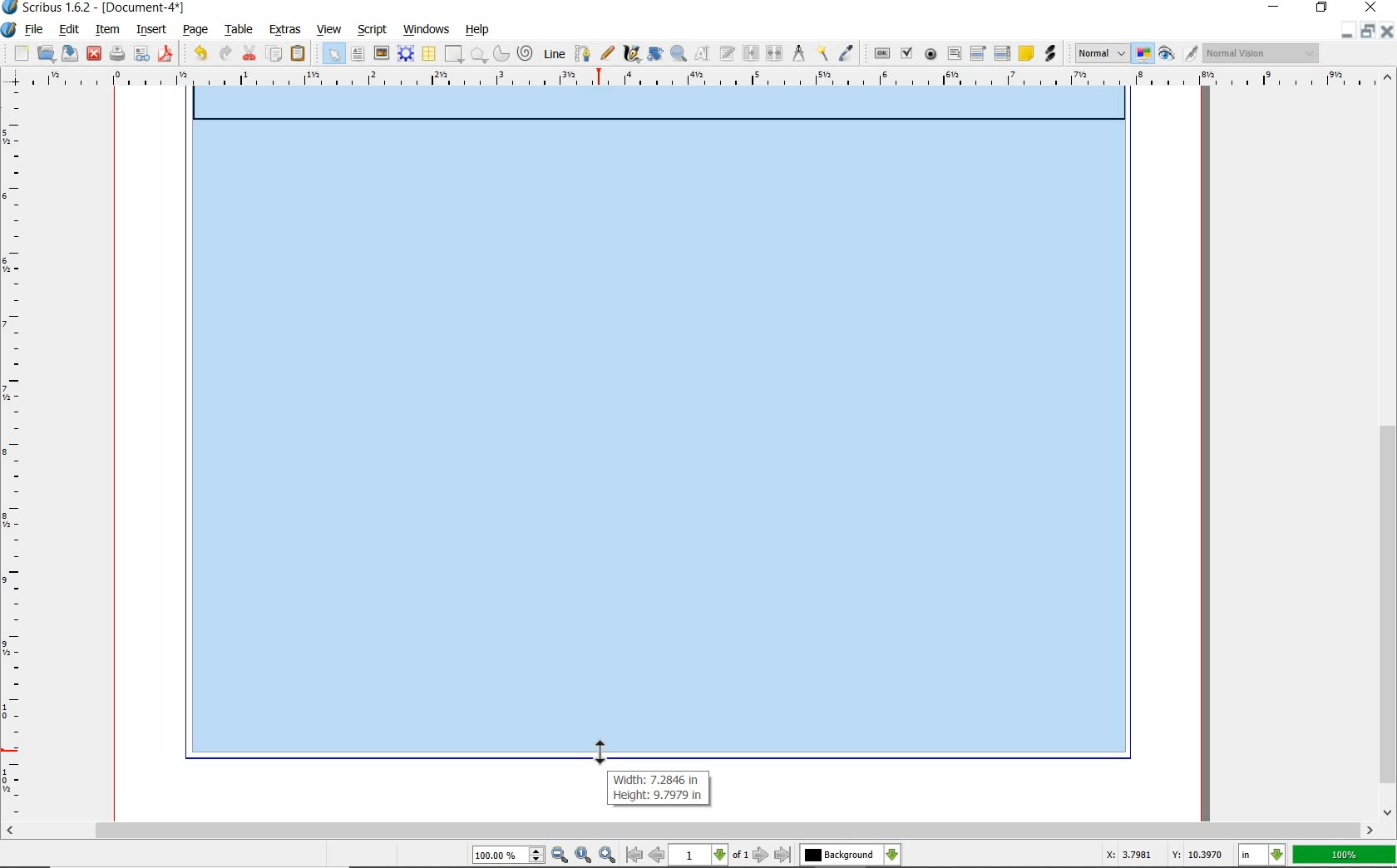 The image size is (1397, 868). I want to click on expanding rectangle, so click(659, 432).